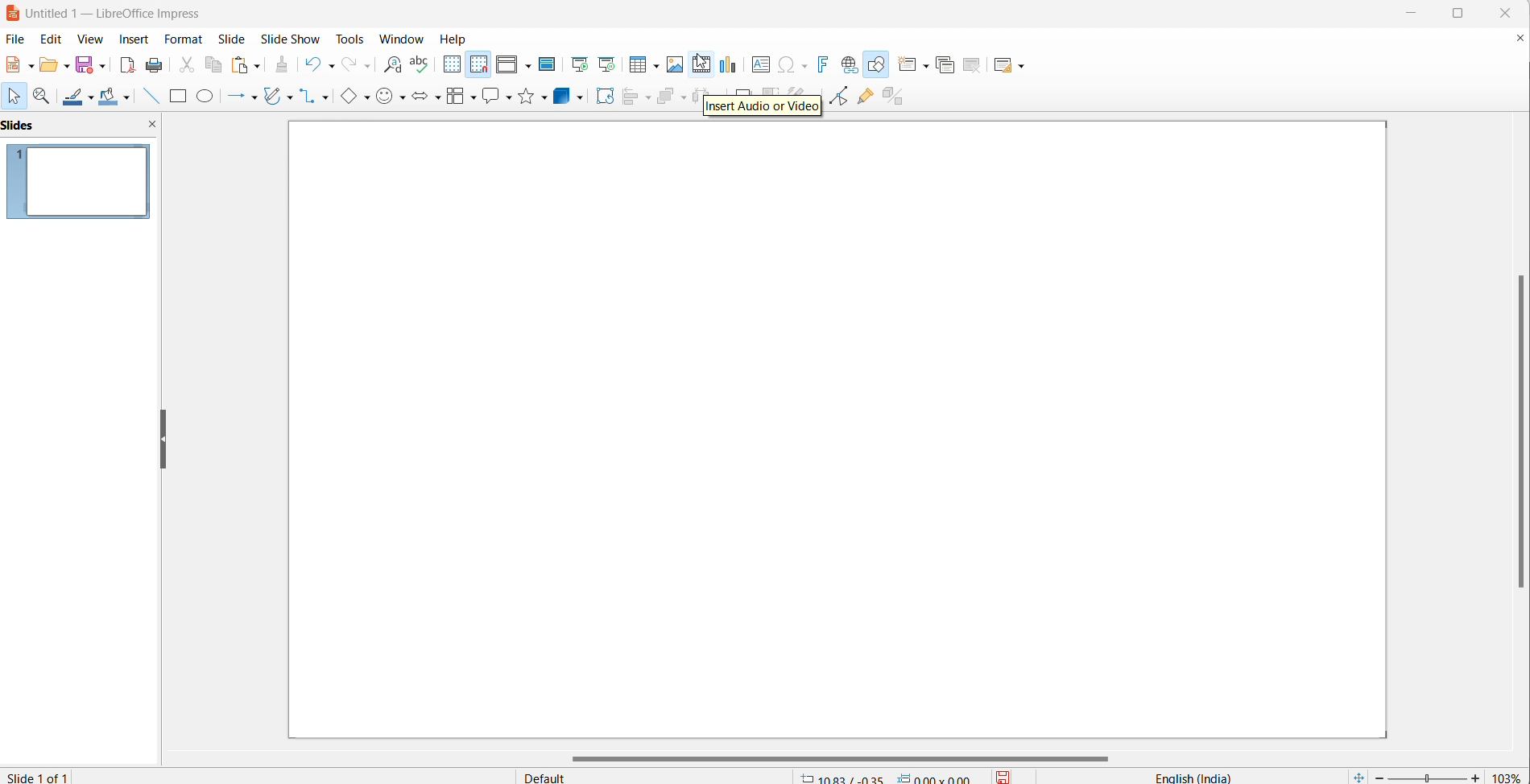 The image size is (1530, 784). Describe the element at coordinates (45, 98) in the screenshot. I see `zoom and pan` at that location.